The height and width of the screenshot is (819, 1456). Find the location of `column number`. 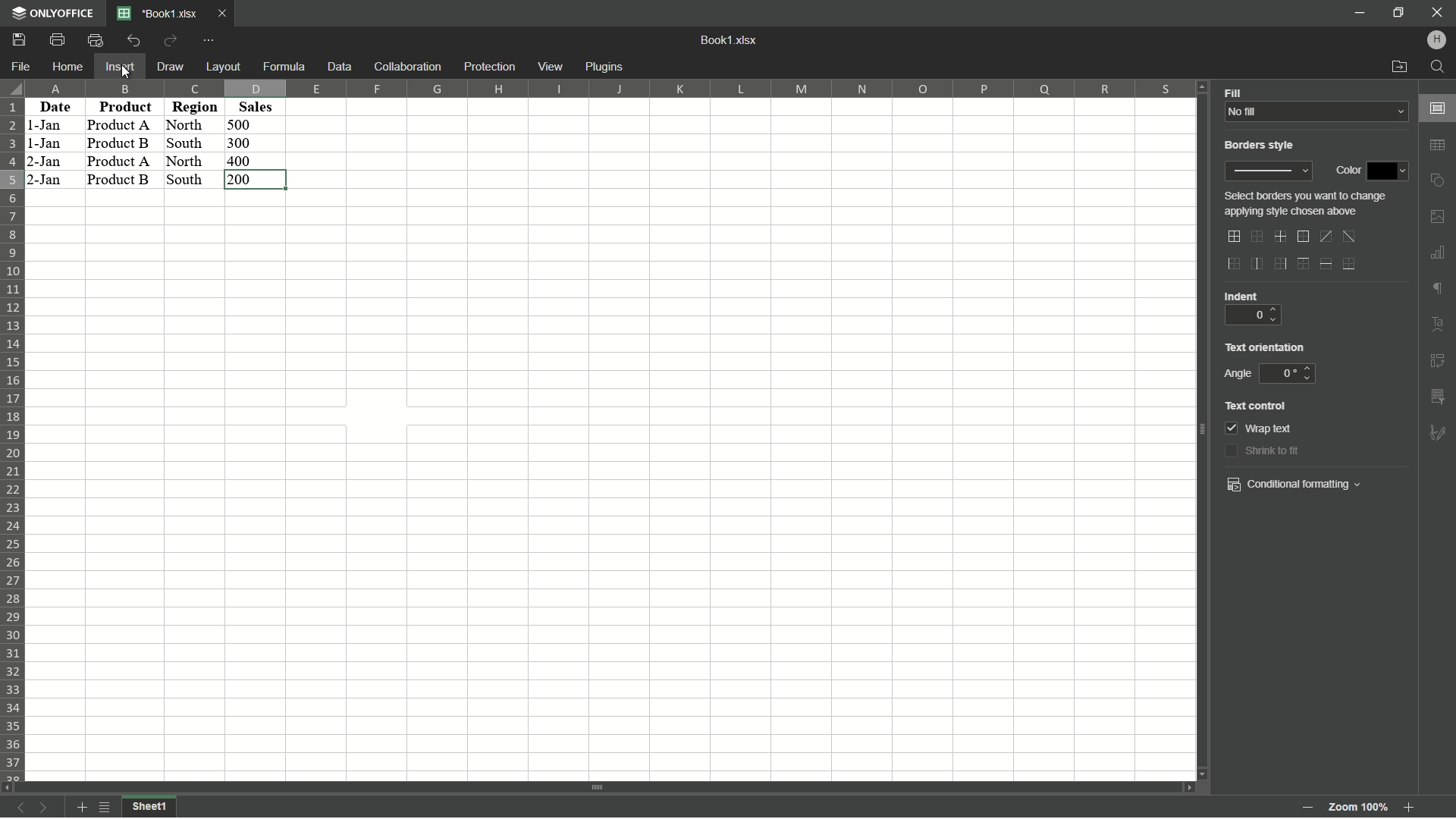

column number is located at coordinates (609, 87).